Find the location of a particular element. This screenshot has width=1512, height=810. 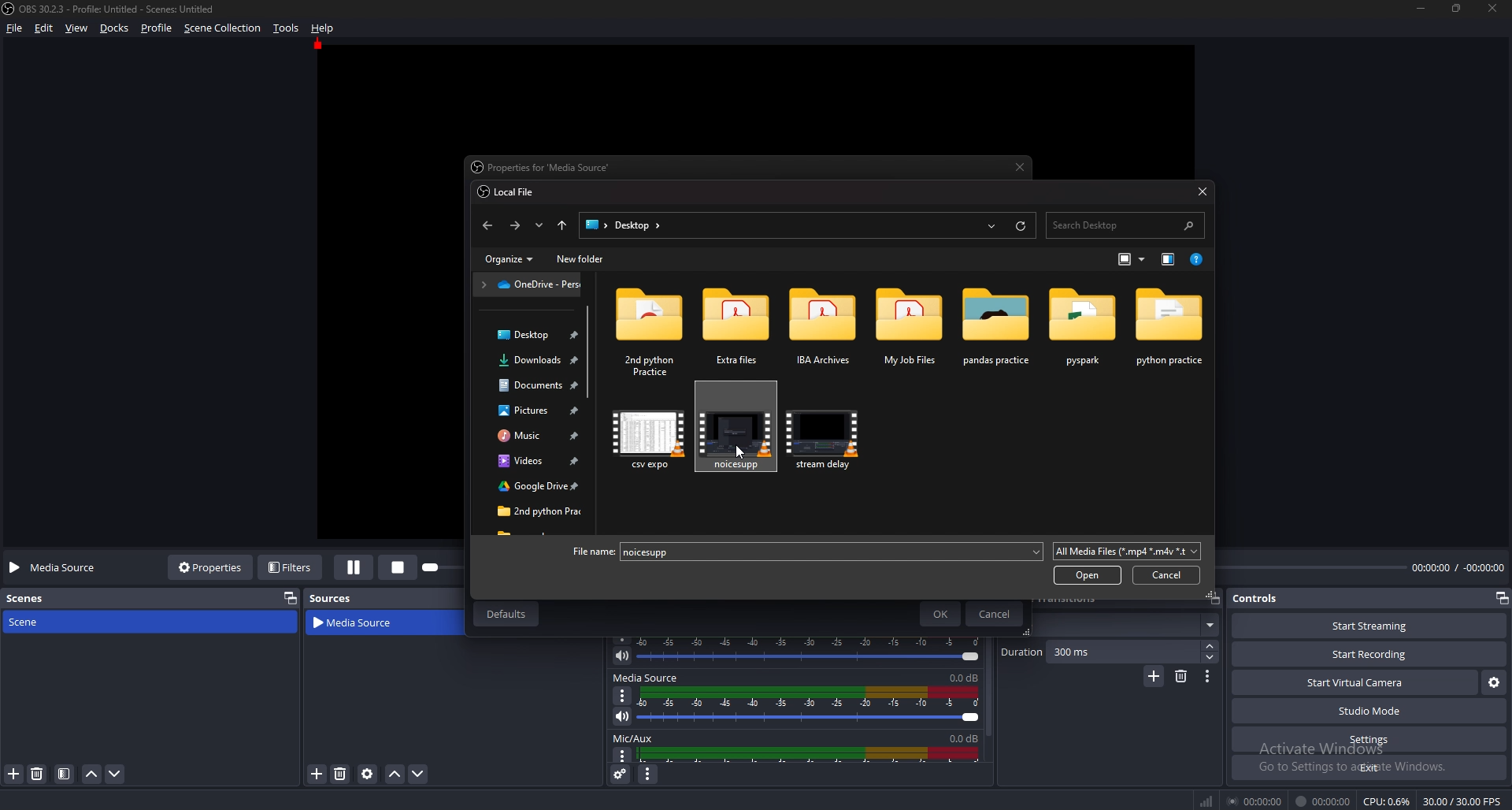

Move scene up is located at coordinates (91, 776).